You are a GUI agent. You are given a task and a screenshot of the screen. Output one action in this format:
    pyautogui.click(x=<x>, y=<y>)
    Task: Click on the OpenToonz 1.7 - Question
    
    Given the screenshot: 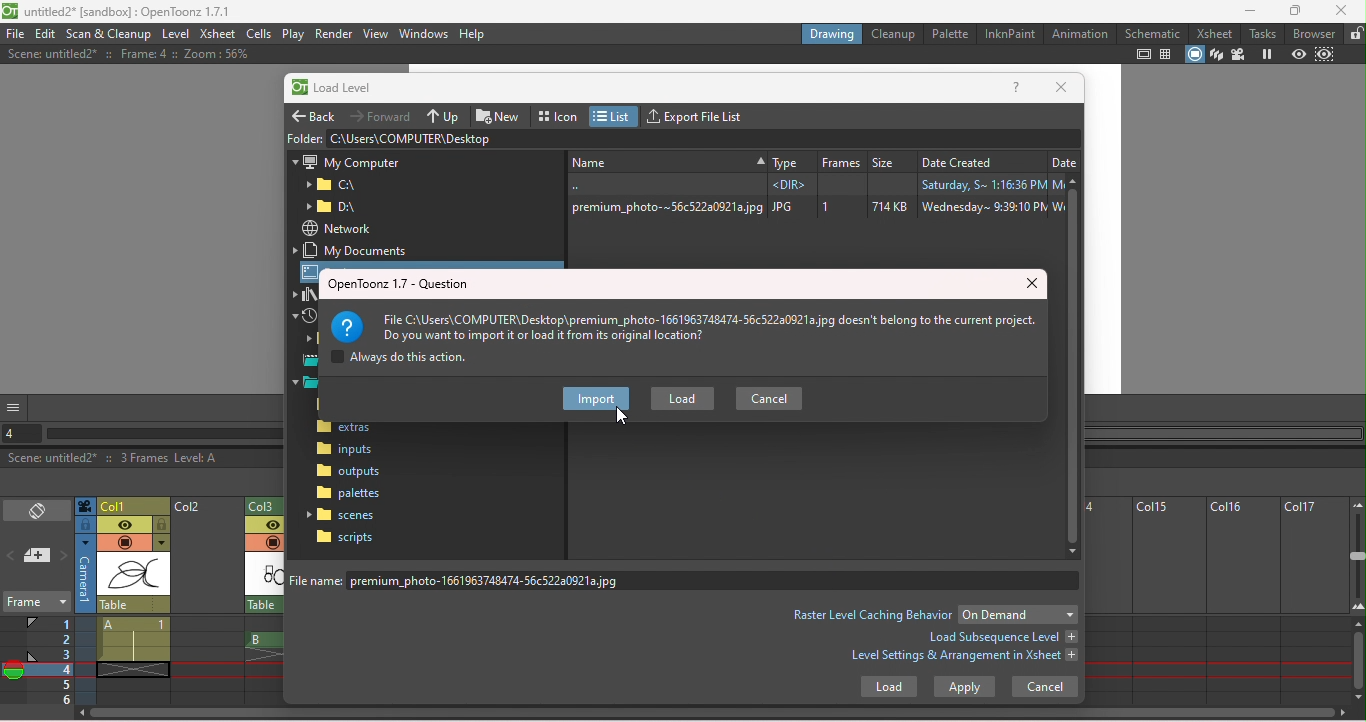 What is the action you would take?
    pyautogui.click(x=399, y=284)
    